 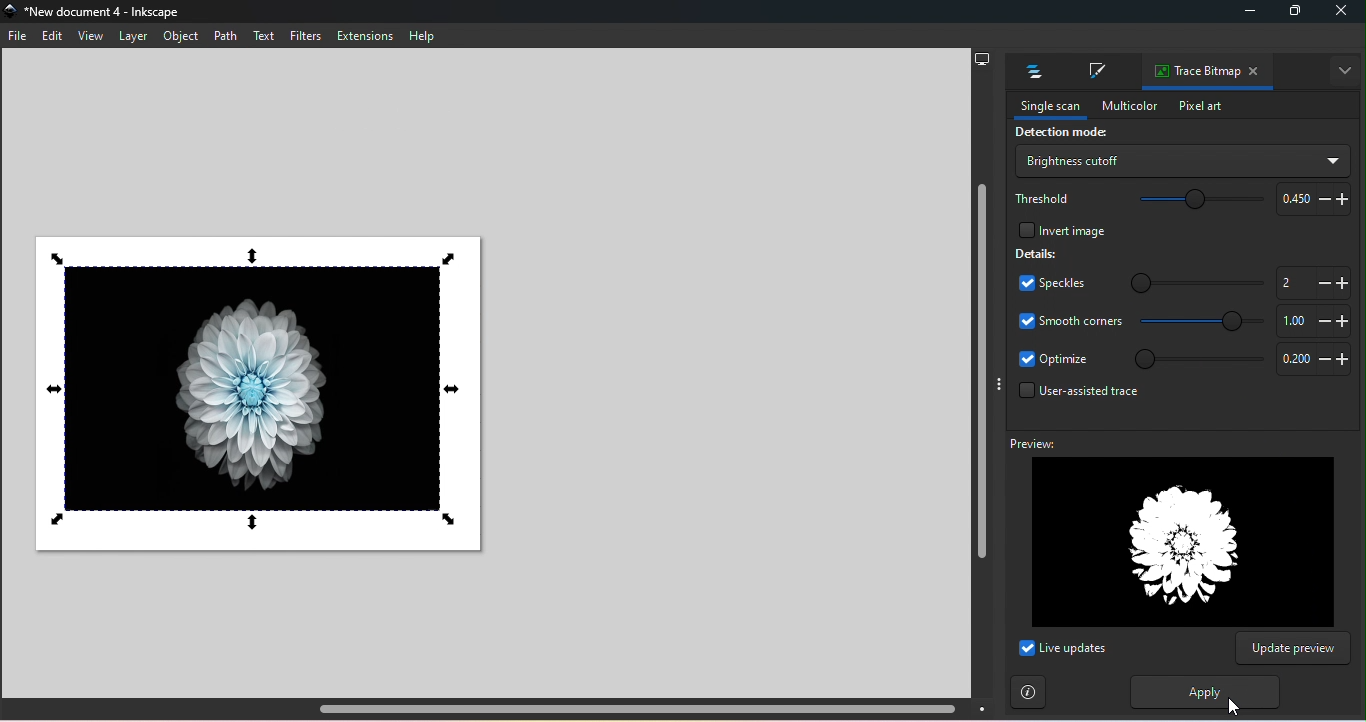 I want to click on Edit, so click(x=51, y=37).